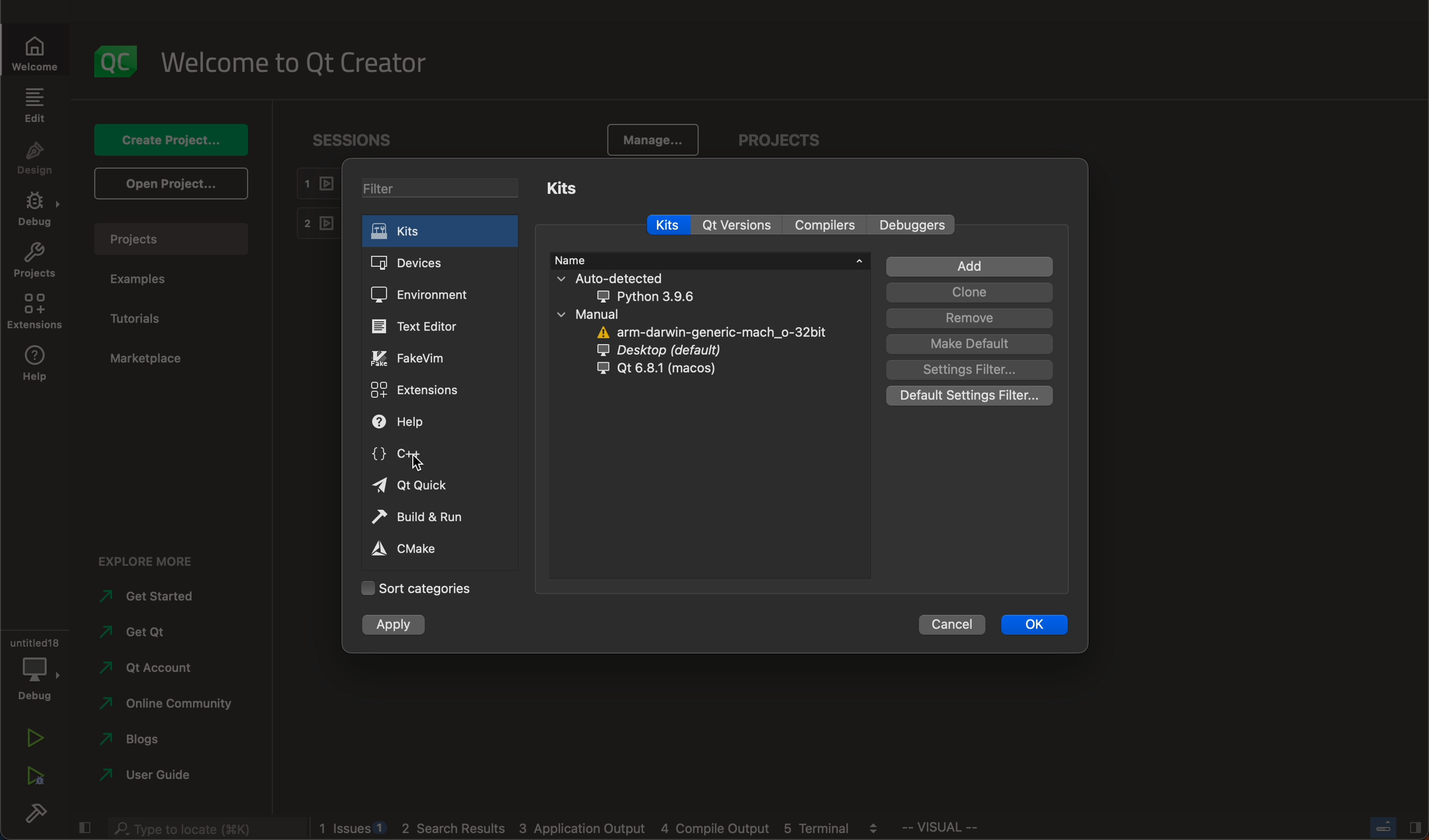  I want to click on debug, so click(33, 667).